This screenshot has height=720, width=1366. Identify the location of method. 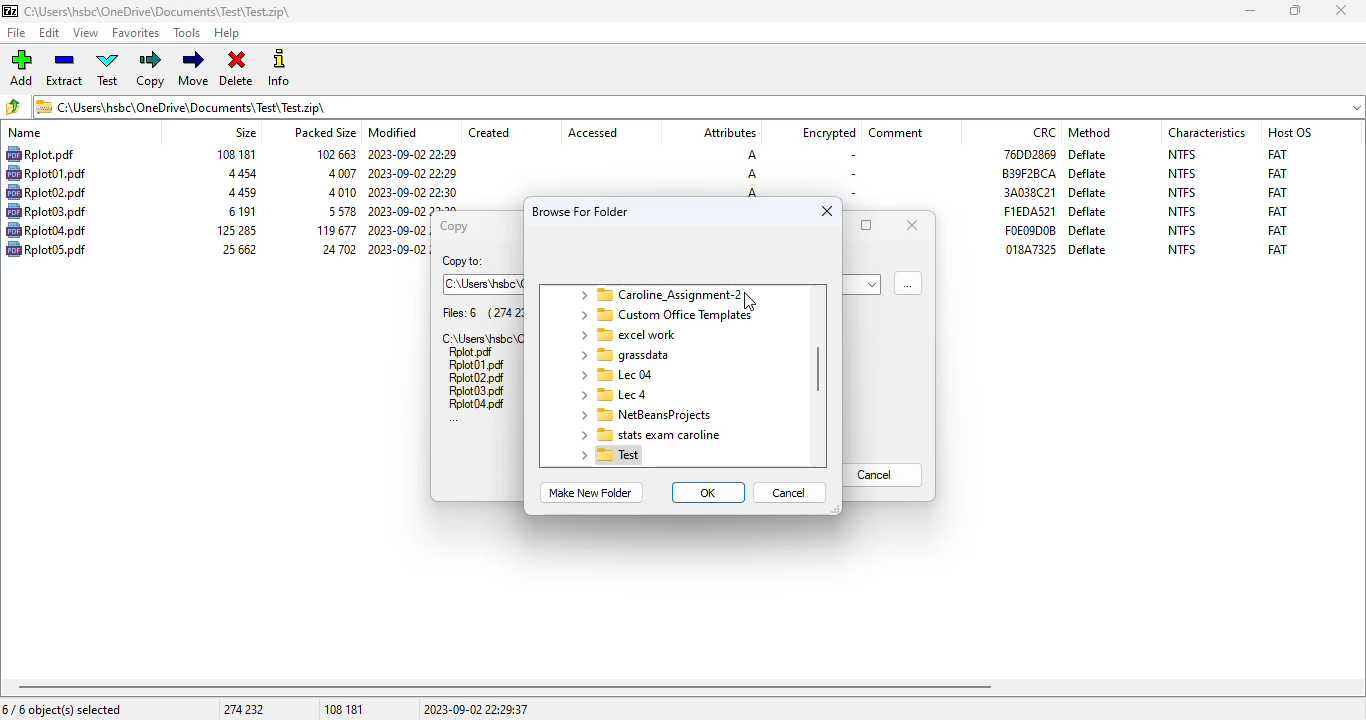
(1089, 132).